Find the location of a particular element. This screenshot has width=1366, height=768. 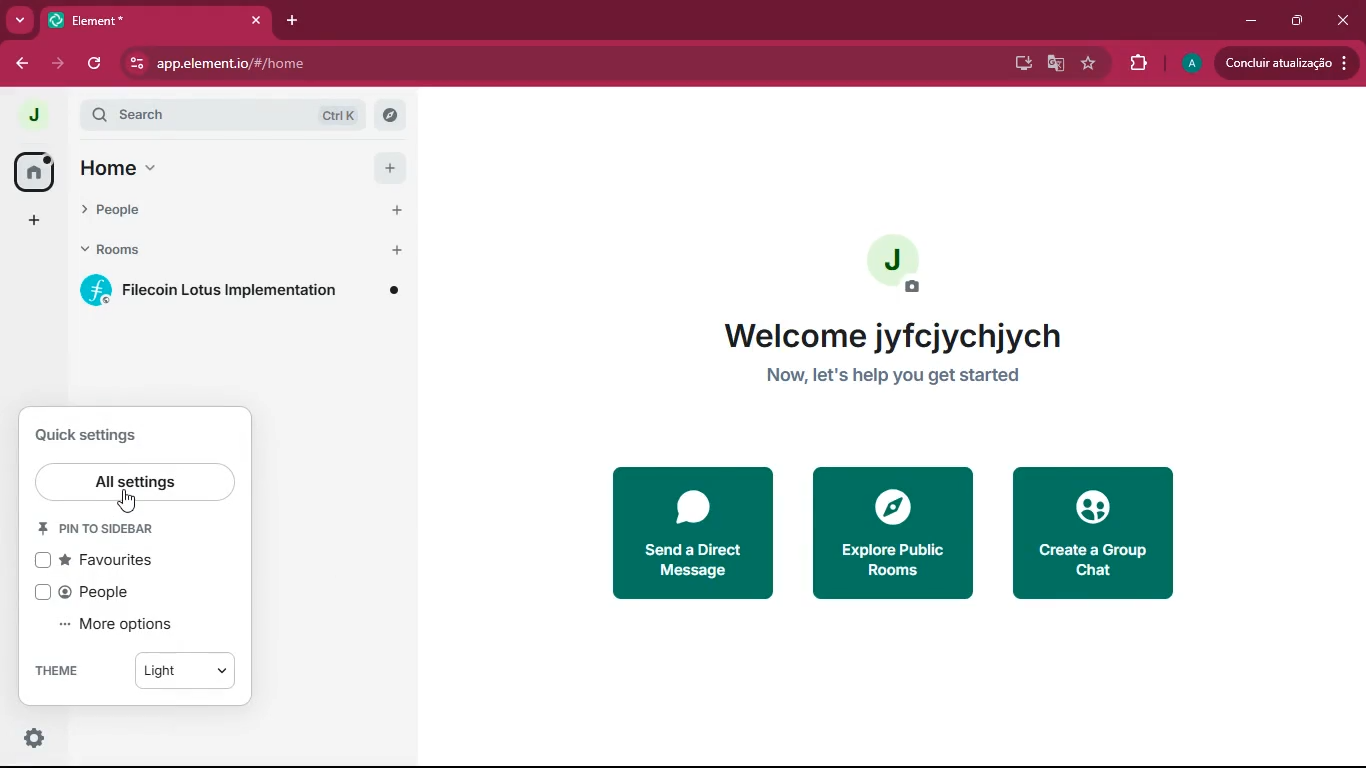

google translate is located at coordinates (1054, 64).